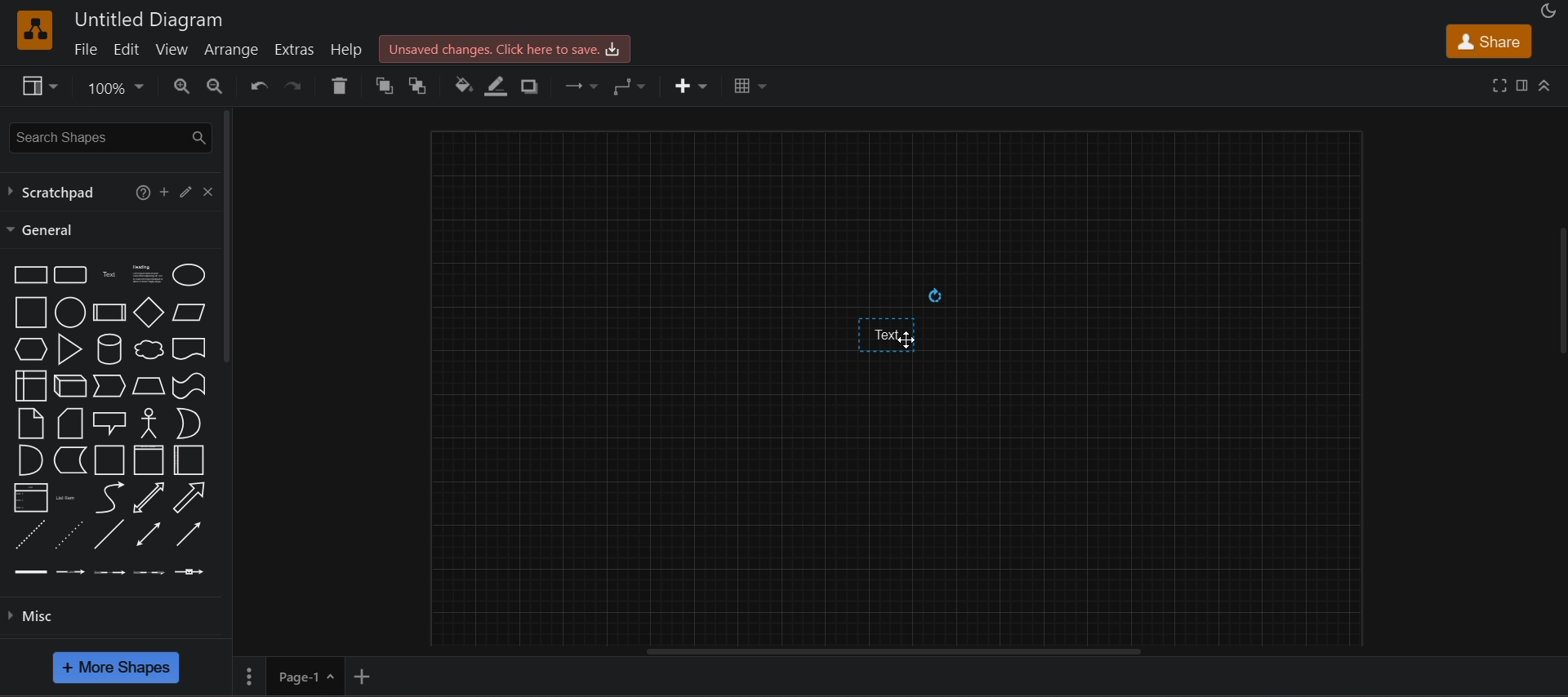 The height and width of the screenshot is (697, 1568). What do you see at coordinates (32, 385) in the screenshot?
I see `Internal storage` at bounding box center [32, 385].